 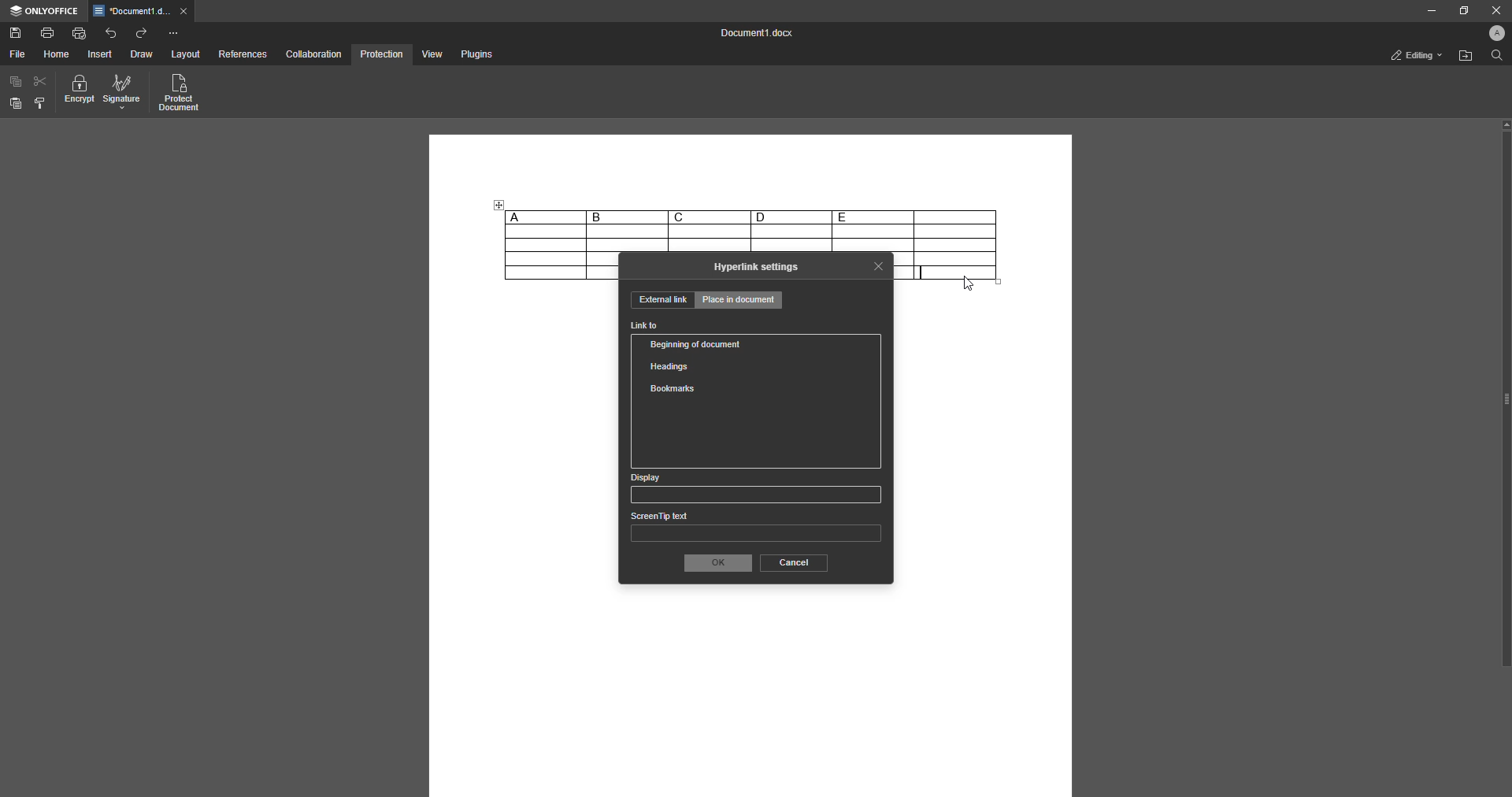 What do you see at coordinates (80, 32) in the screenshot?
I see `Quick print` at bounding box center [80, 32].